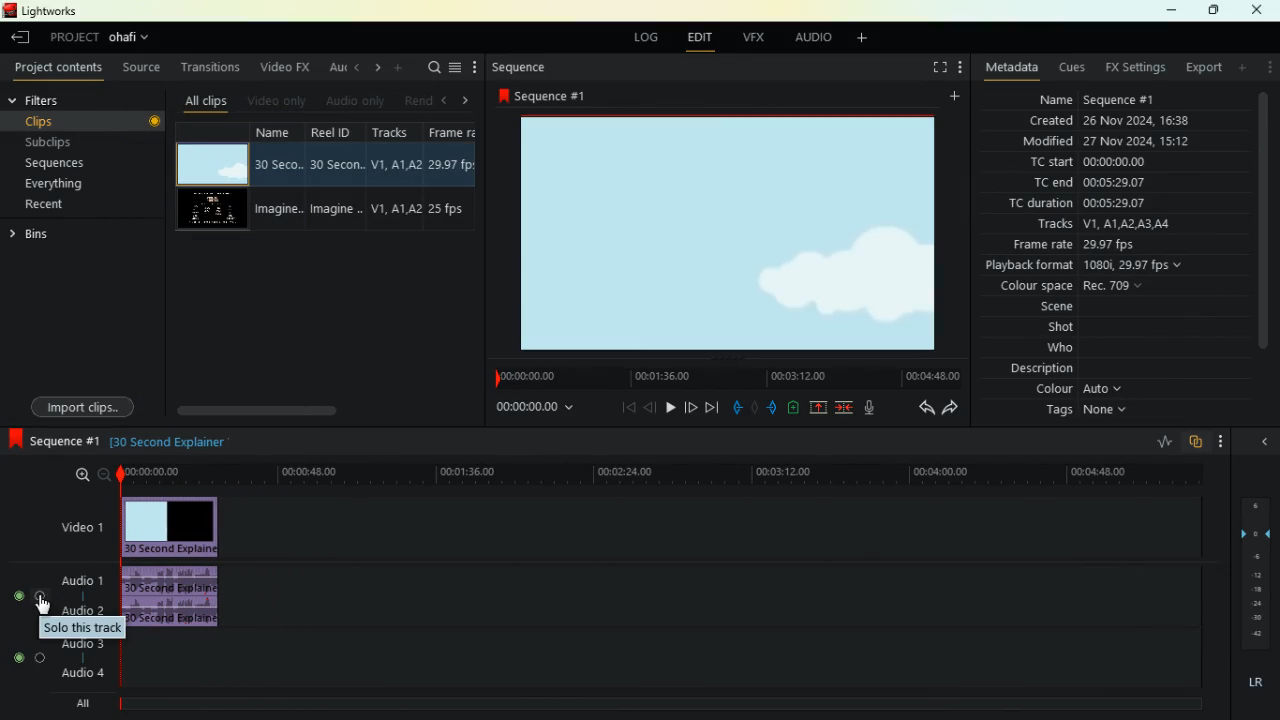 This screenshot has height=720, width=1280. Describe the element at coordinates (59, 67) in the screenshot. I see `project contents` at that location.